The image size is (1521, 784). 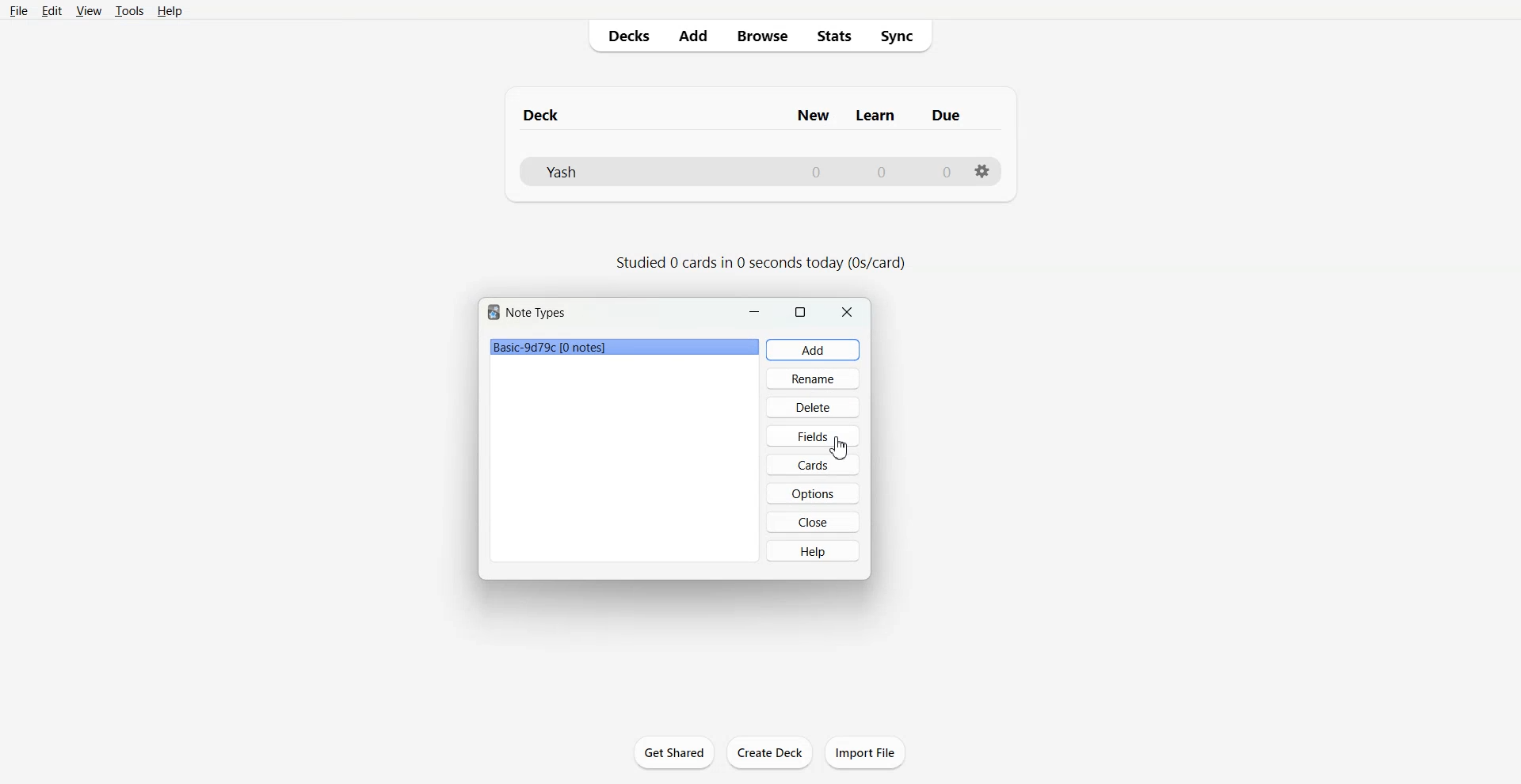 I want to click on Number of New cards, so click(x=816, y=172).